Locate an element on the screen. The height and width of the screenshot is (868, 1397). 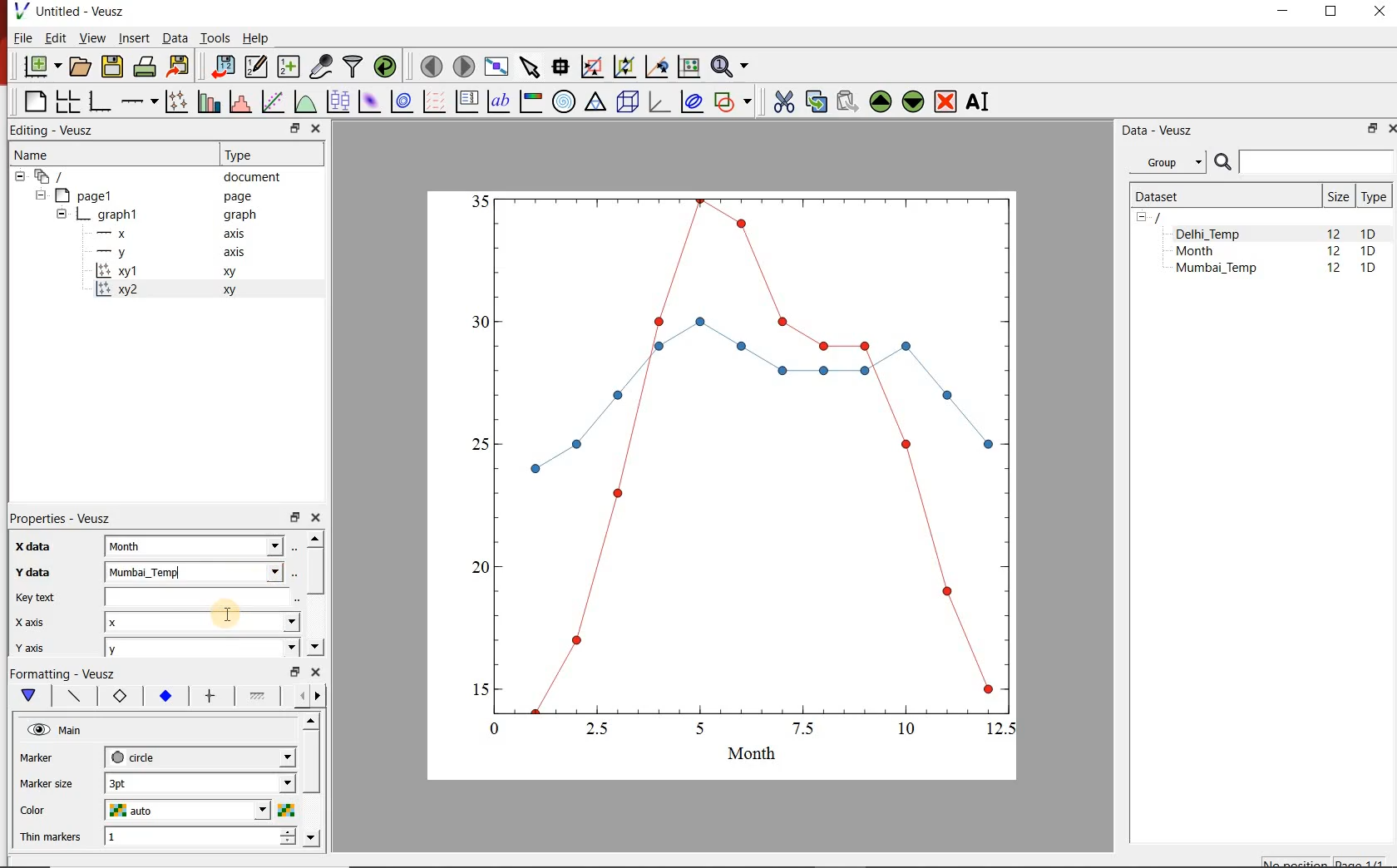
plot key is located at coordinates (466, 102).